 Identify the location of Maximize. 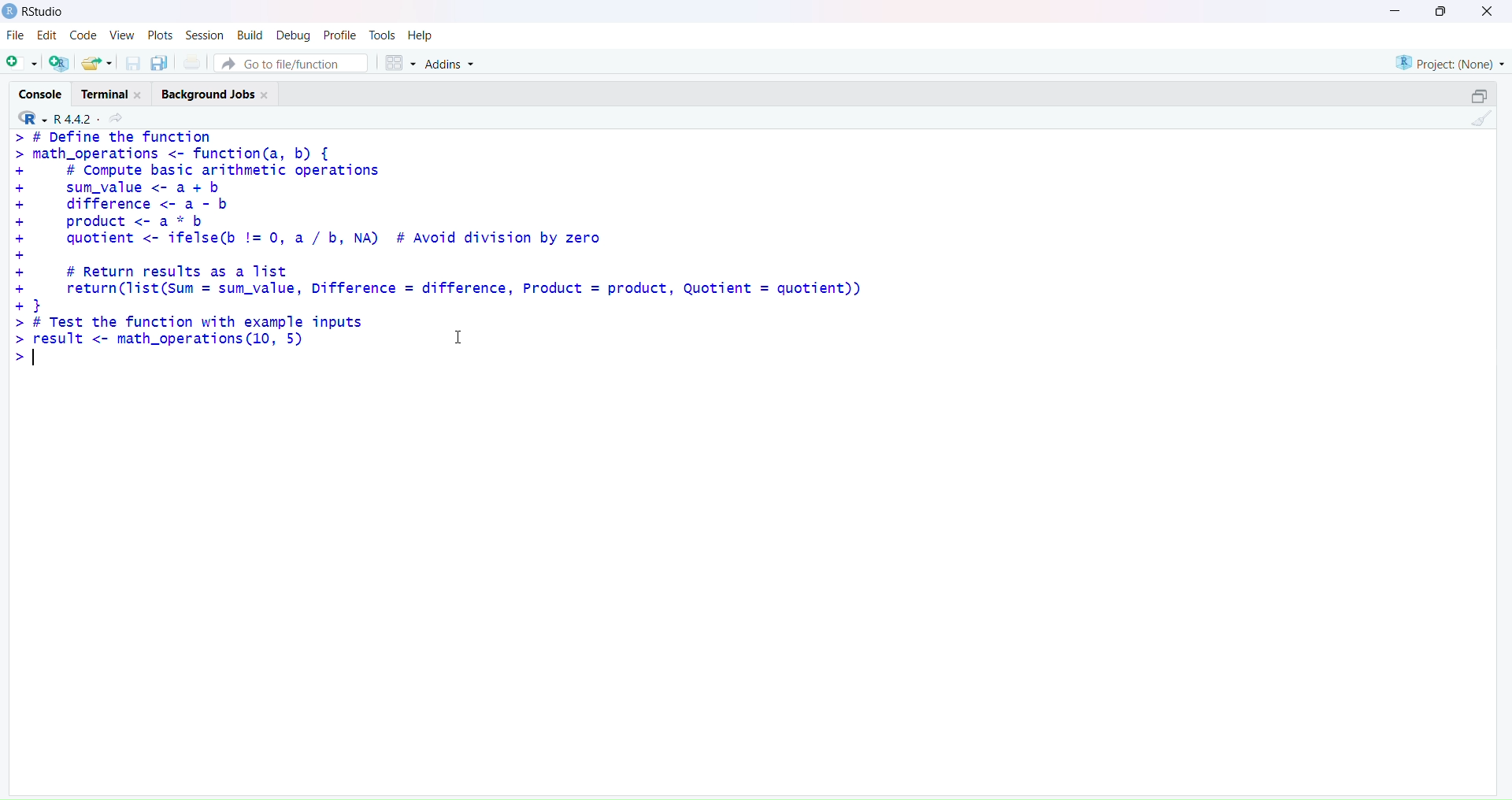
(1442, 12).